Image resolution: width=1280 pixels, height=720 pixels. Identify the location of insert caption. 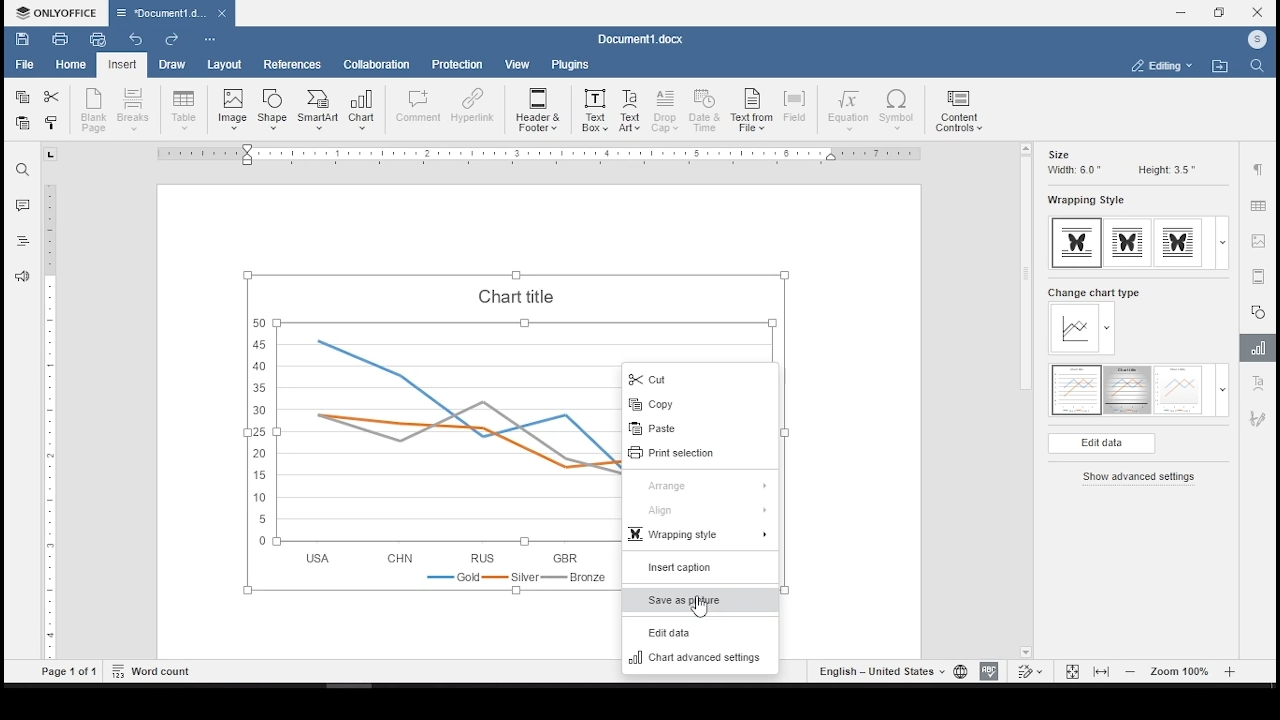
(696, 569).